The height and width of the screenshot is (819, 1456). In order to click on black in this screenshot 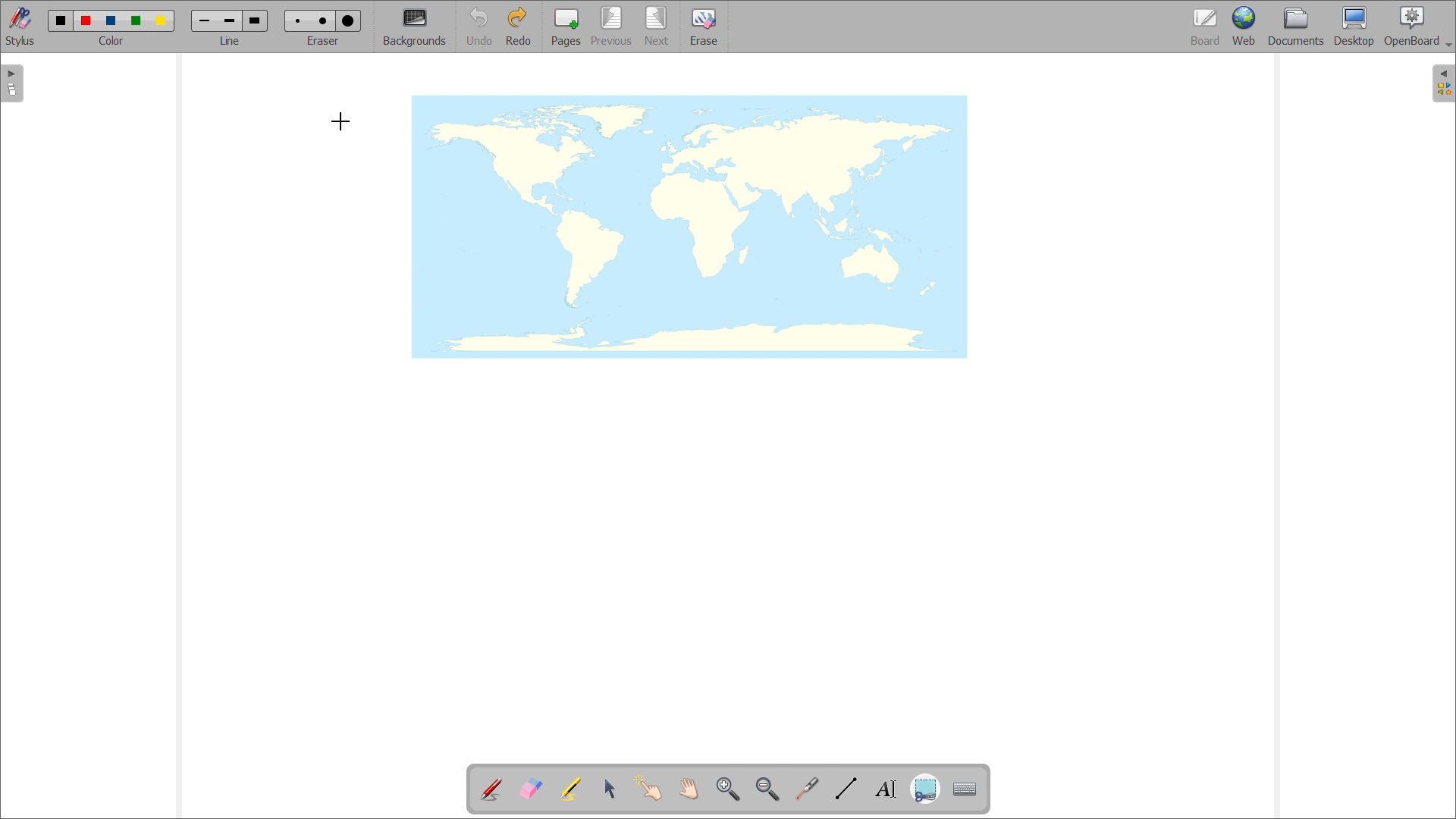, I will do `click(61, 19)`.